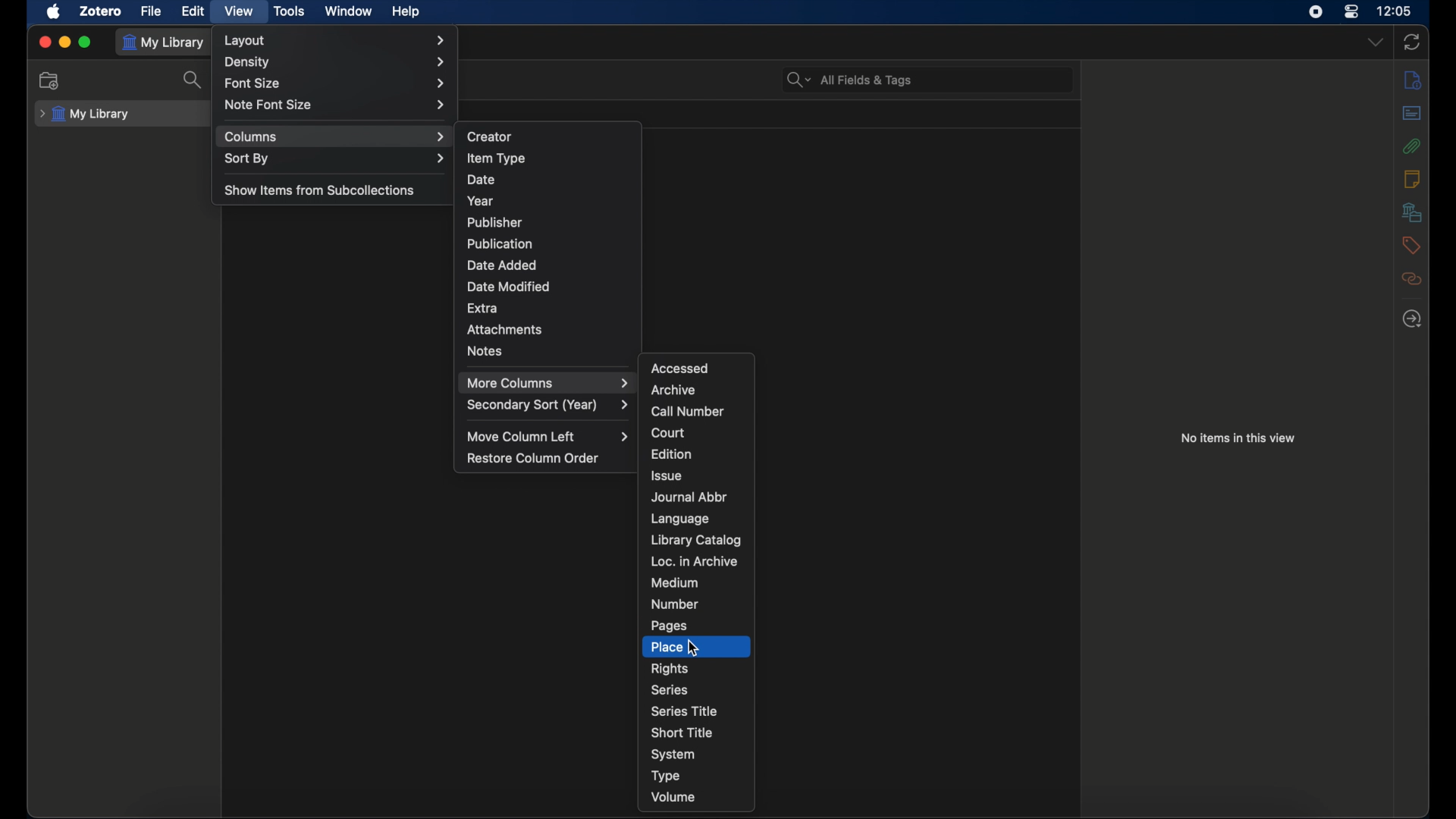  I want to click on cursor, so click(693, 651).